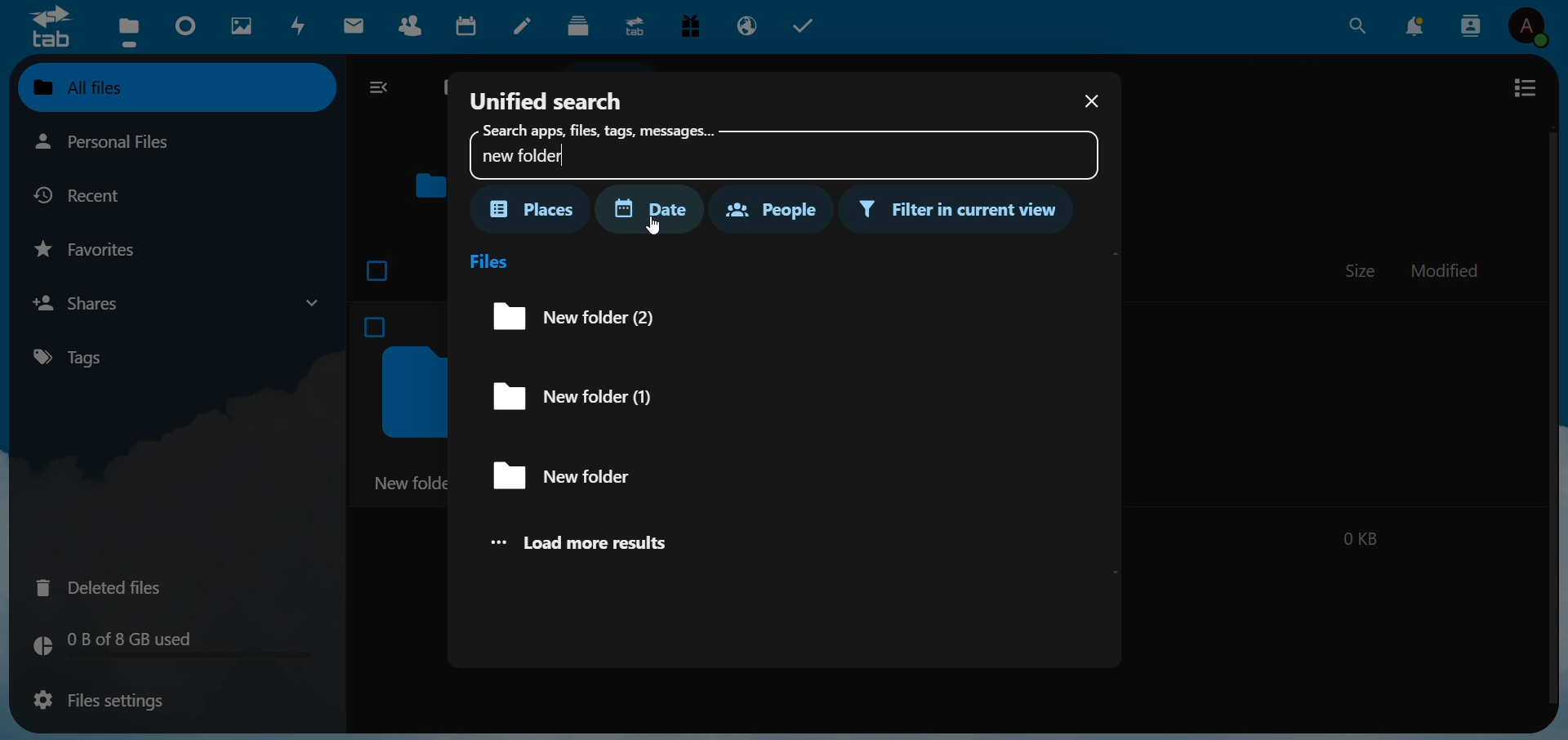 This screenshot has height=740, width=1568. What do you see at coordinates (595, 398) in the screenshot?
I see `new folder 1` at bounding box center [595, 398].